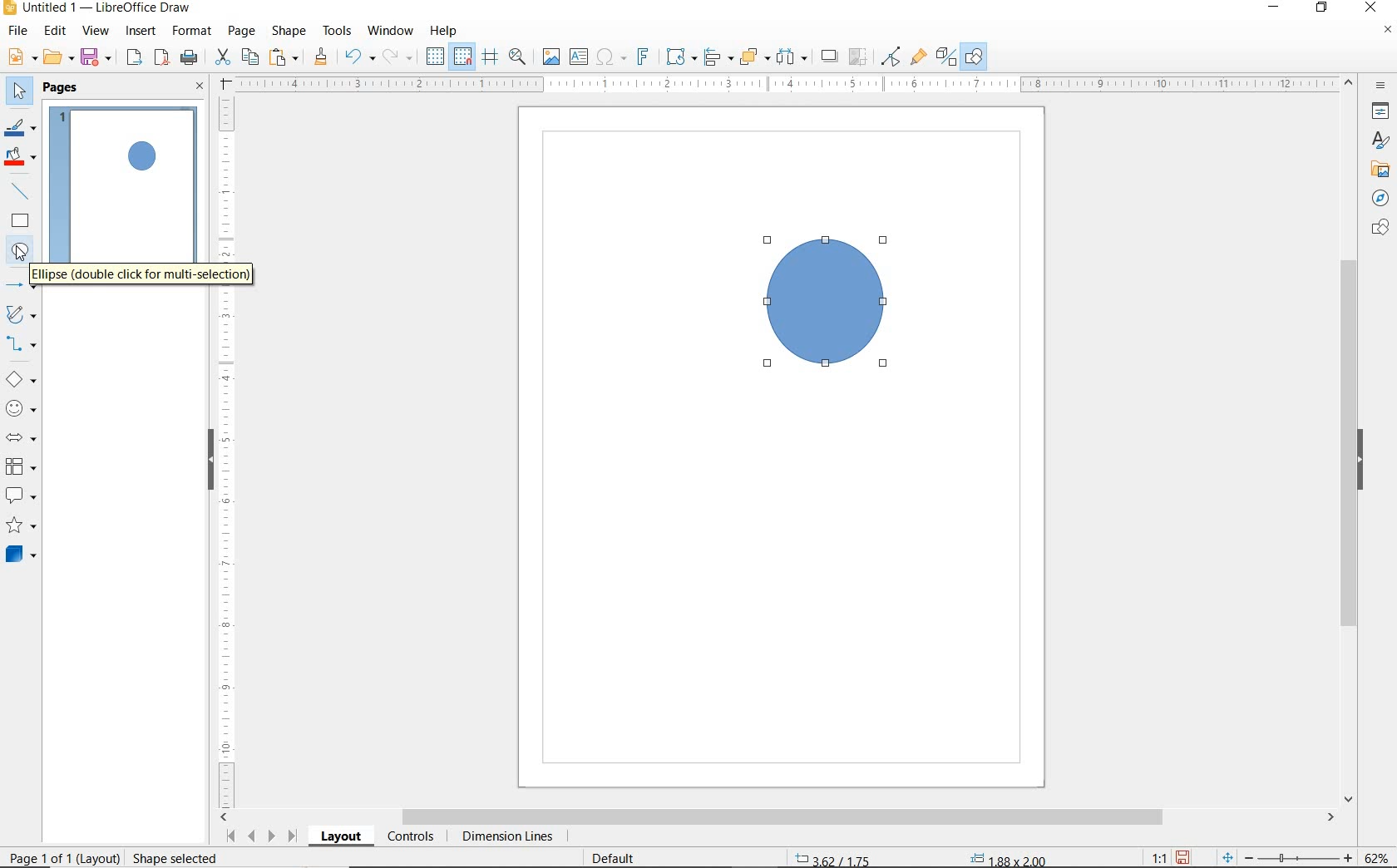  Describe the element at coordinates (1287, 858) in the screenshot. I see `ZOOM OUT OR ZOOM IN` at that location.